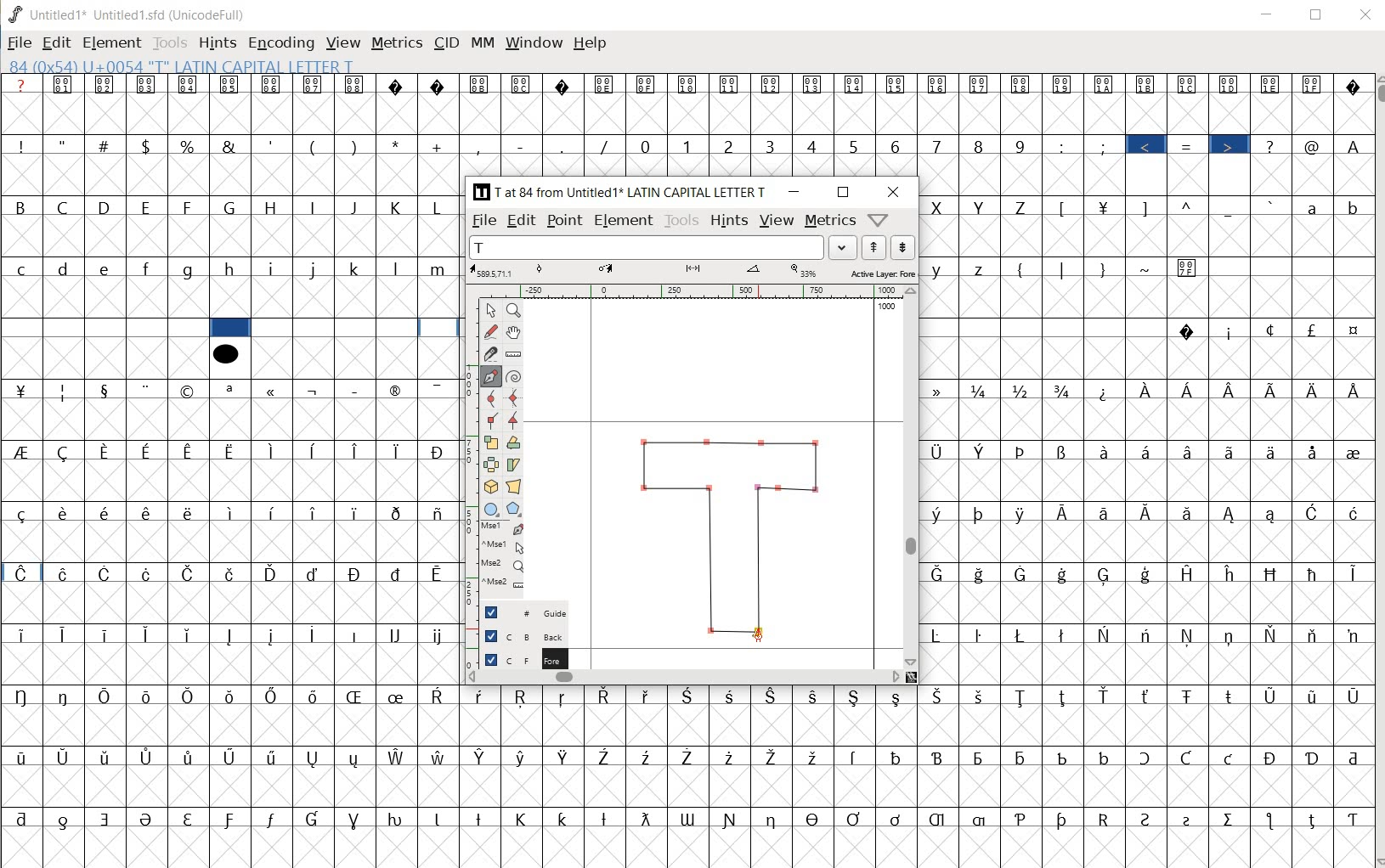 The image size is (1385, 868). I want to click on Symbol, so click(1106, 696).